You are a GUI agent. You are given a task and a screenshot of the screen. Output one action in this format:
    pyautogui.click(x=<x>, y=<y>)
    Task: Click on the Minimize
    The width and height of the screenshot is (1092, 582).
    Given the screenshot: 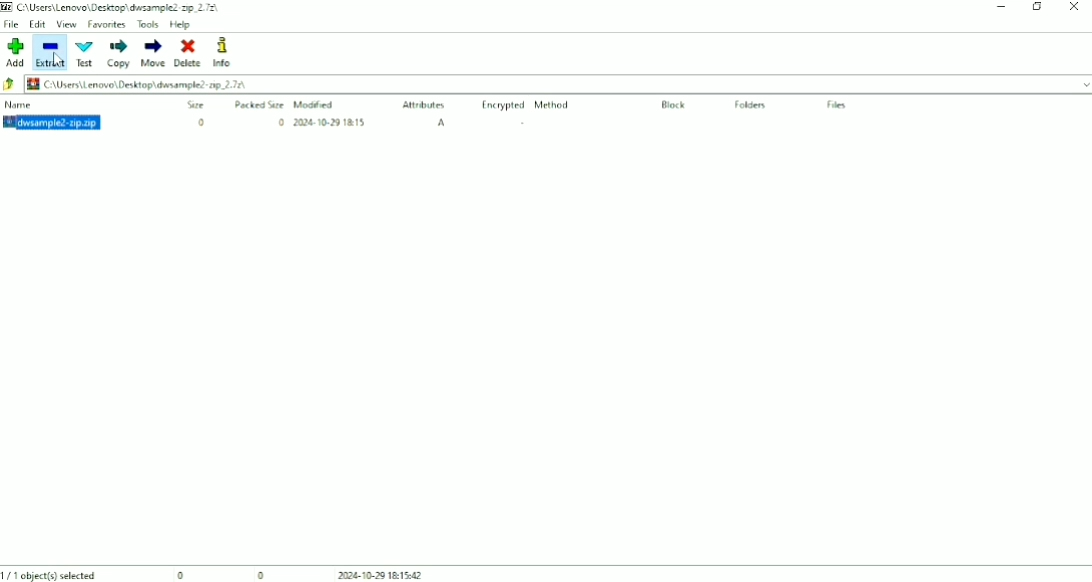 What is the action you would take?
    pyautogui.click(x=1003, y=6)
    